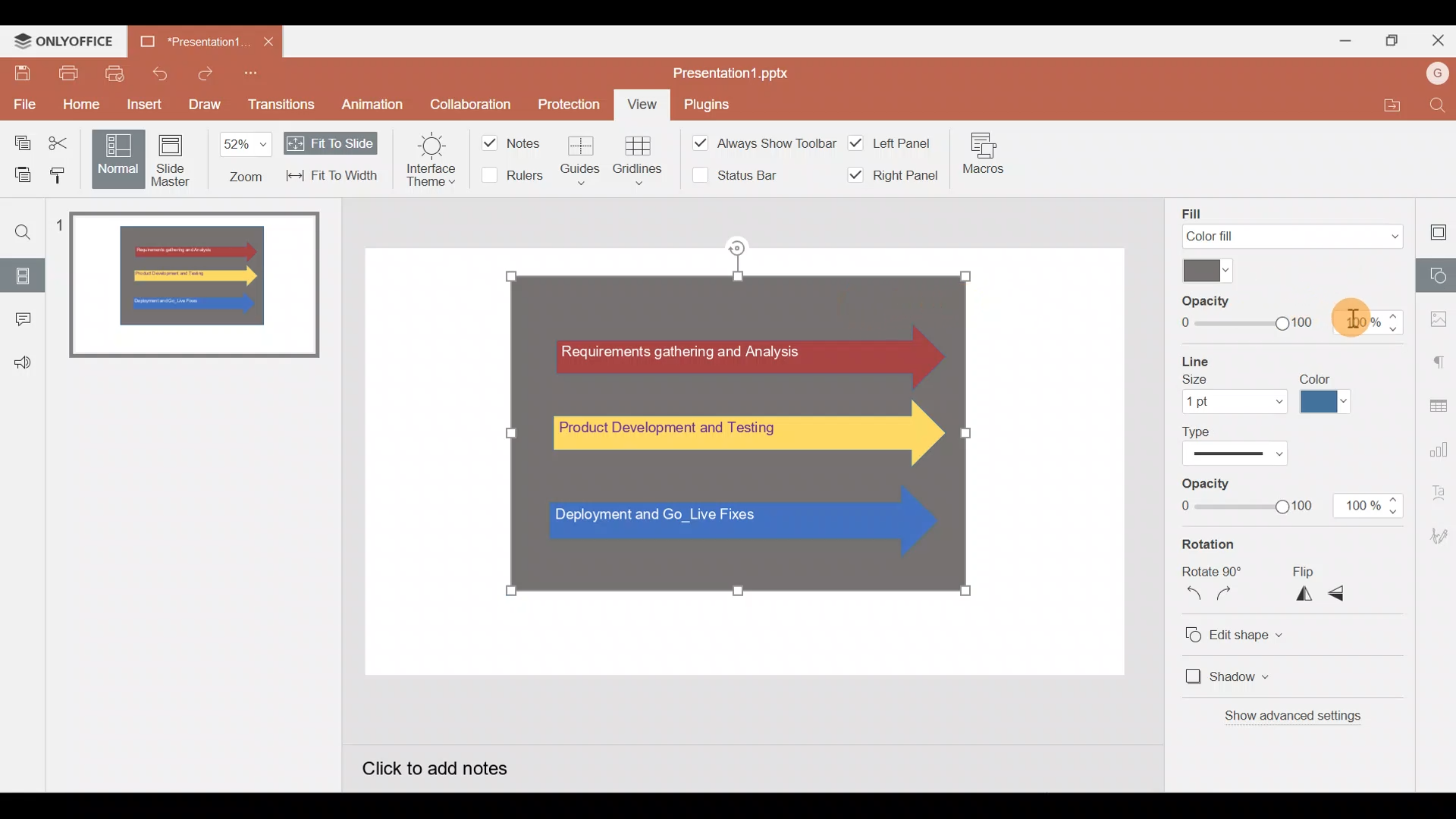  What do you see at coordinates (512, 141) in the screenshot?
I see `Notes` at bounding box center [512, 141].